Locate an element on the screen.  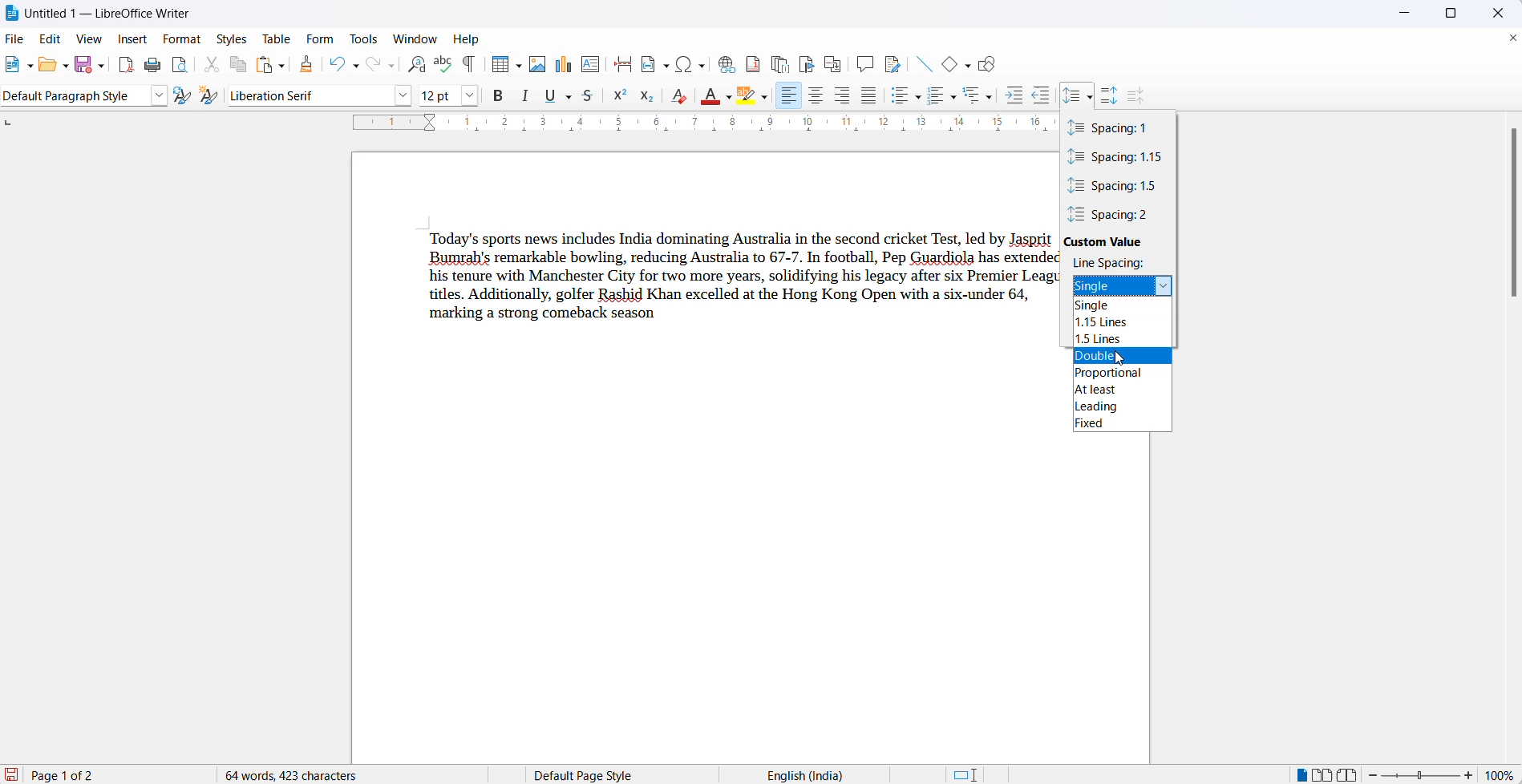
current style is located at coordinates (73, 97).